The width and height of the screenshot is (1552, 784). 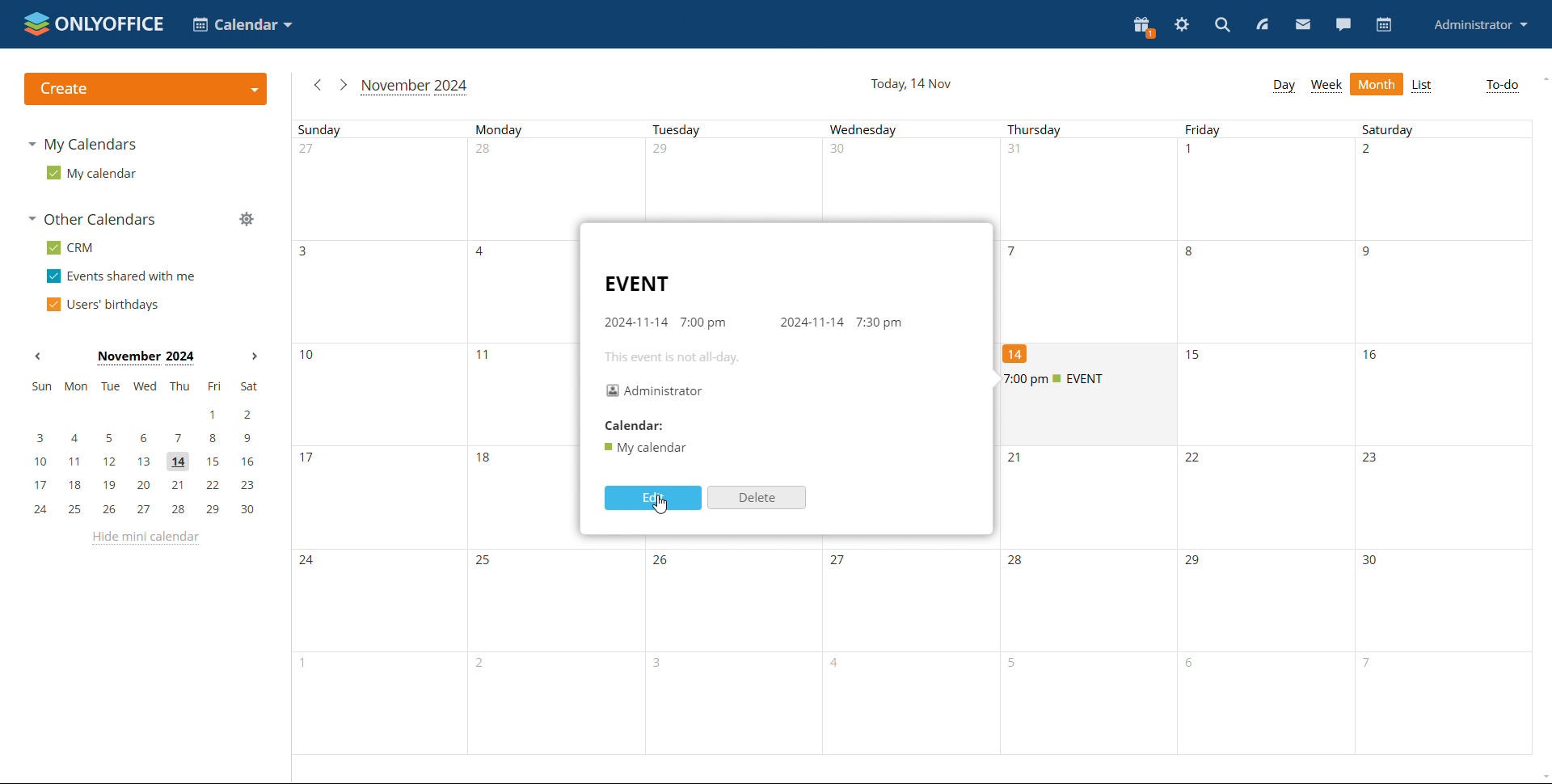 I want to click on number, so click(x=1019, y=666).